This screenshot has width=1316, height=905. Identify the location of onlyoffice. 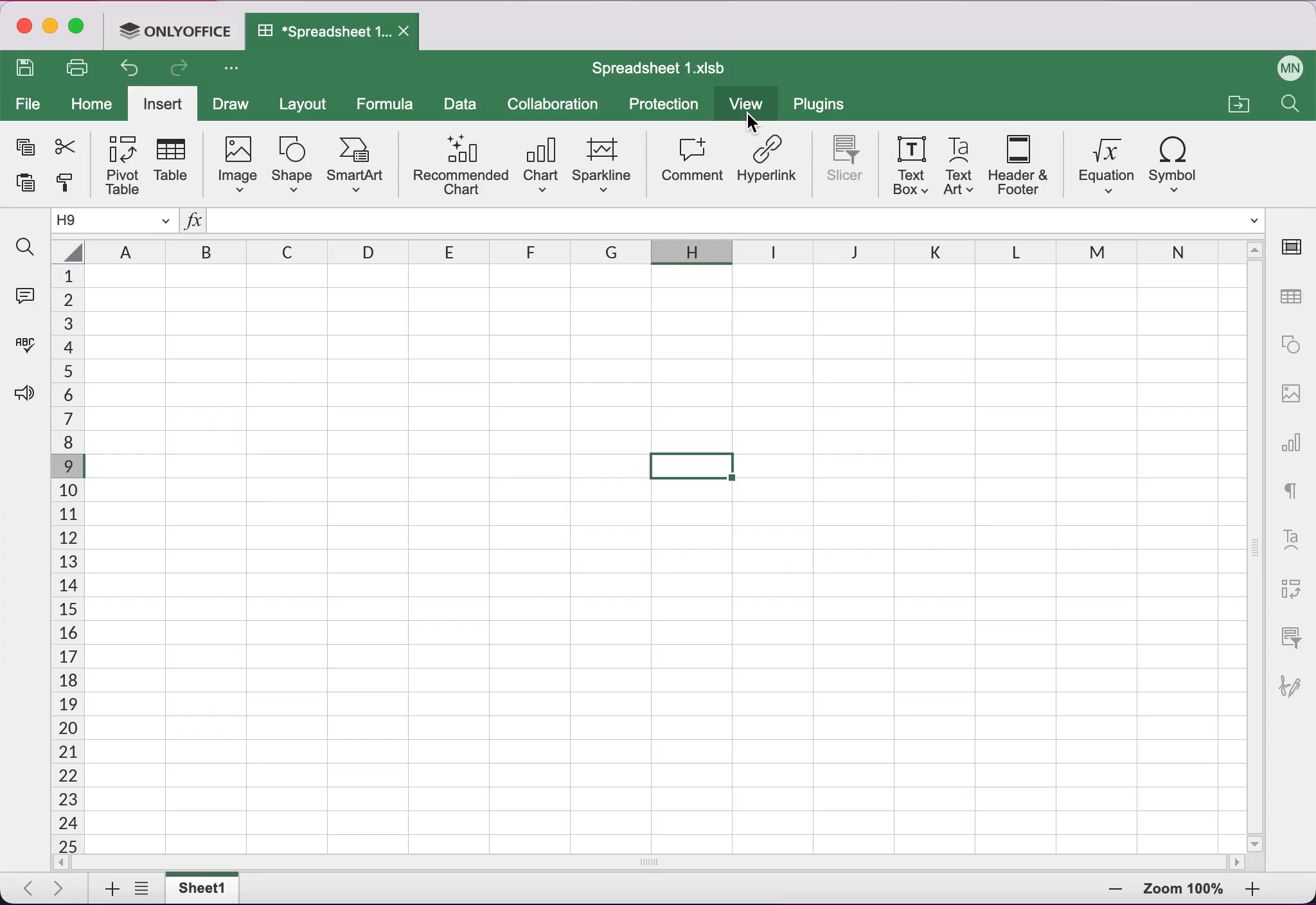
(175, 33).